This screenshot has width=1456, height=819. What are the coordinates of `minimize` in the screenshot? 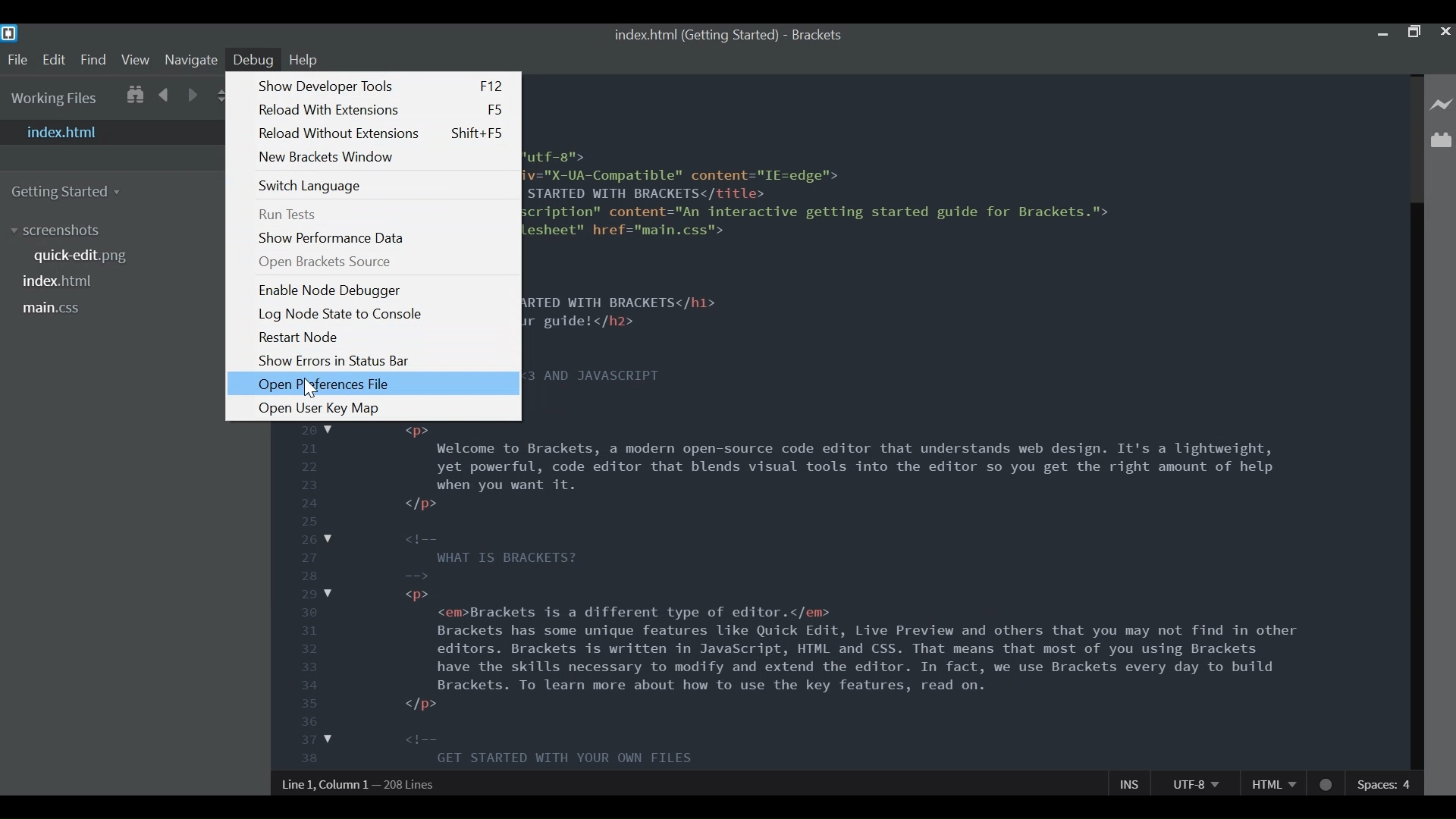 It's located at (1384, 34).